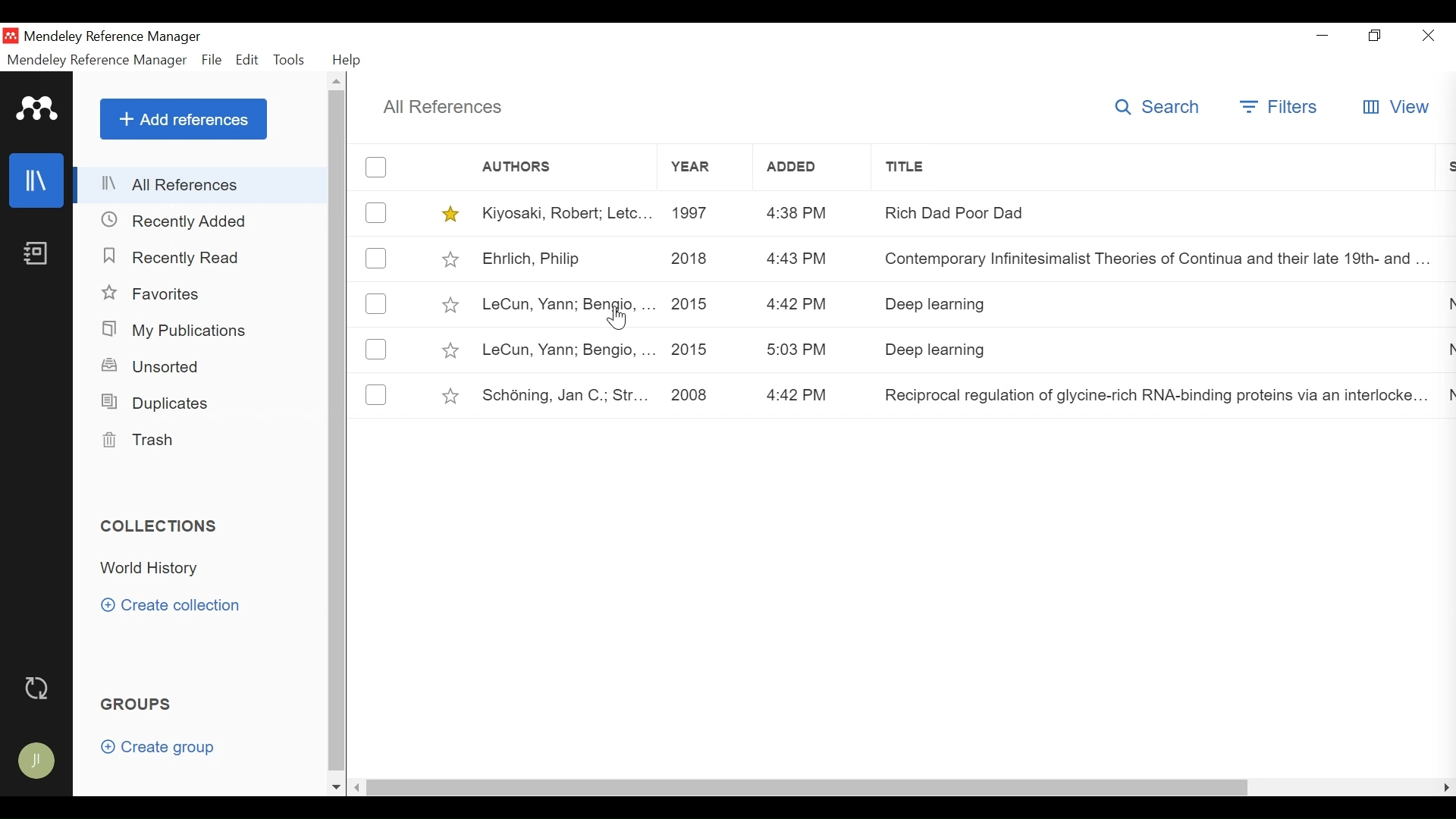 The height and width of the screenshot is (819, 1456). Describe the element at coordinates (38, 762) in the screenshot. I see `Avatar` at that location.